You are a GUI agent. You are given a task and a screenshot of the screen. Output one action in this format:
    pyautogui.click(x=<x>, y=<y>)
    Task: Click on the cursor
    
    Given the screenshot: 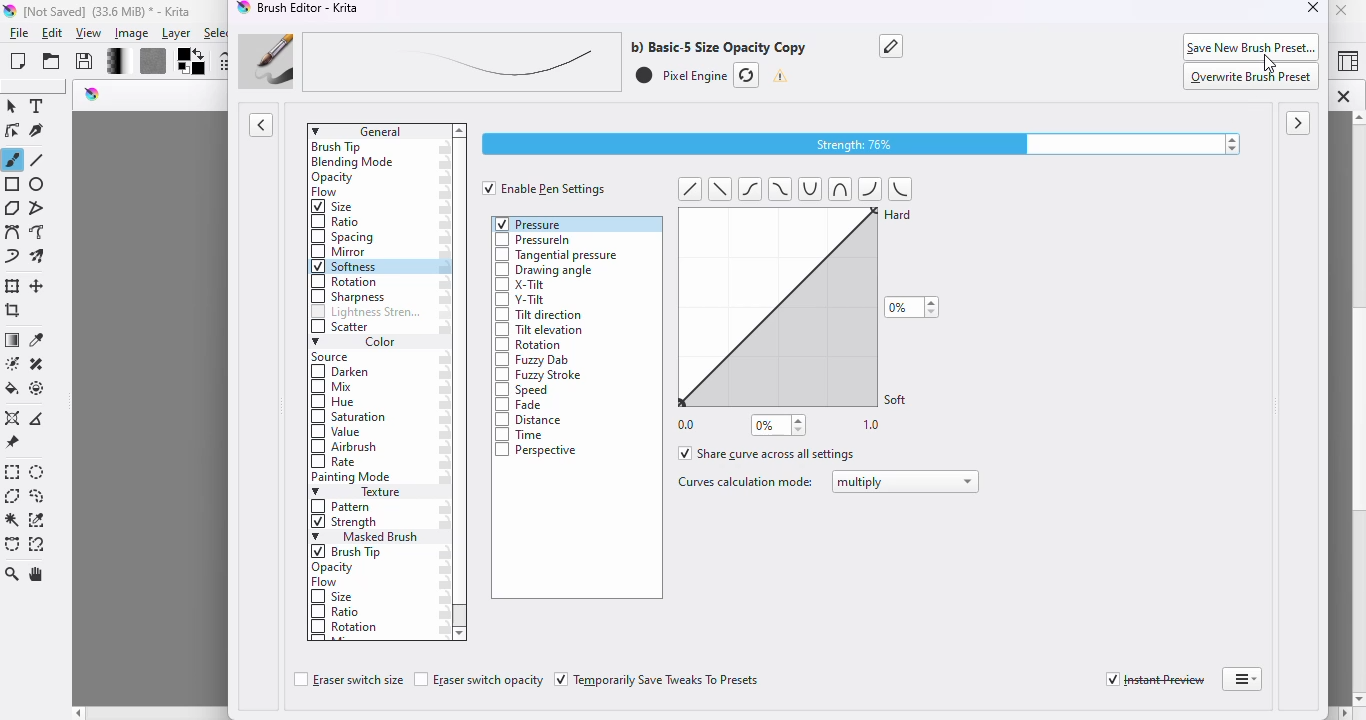 What is the action you would take?
    pyautogui.click(x=1265, y=63)
    